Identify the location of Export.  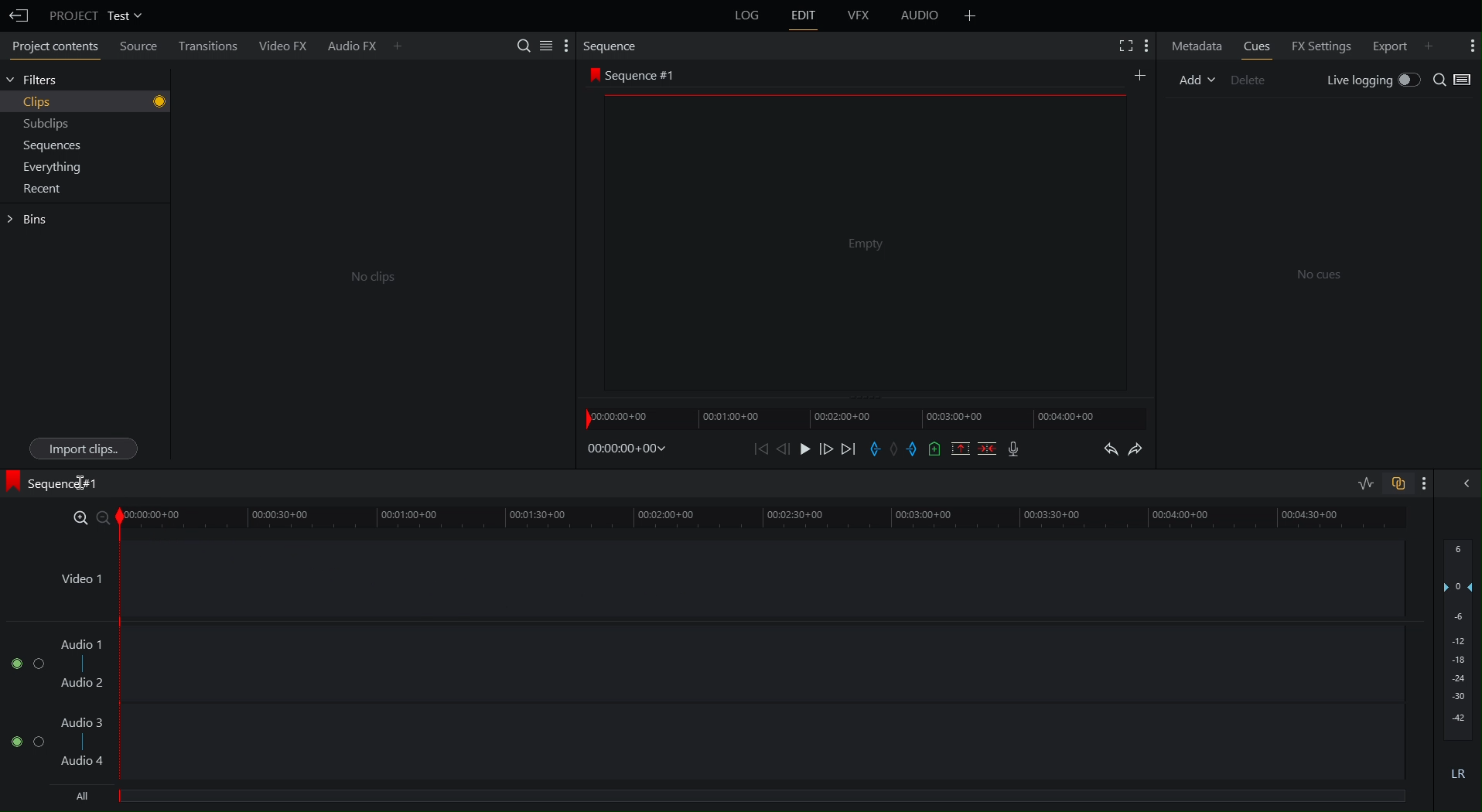
(1401, 43).